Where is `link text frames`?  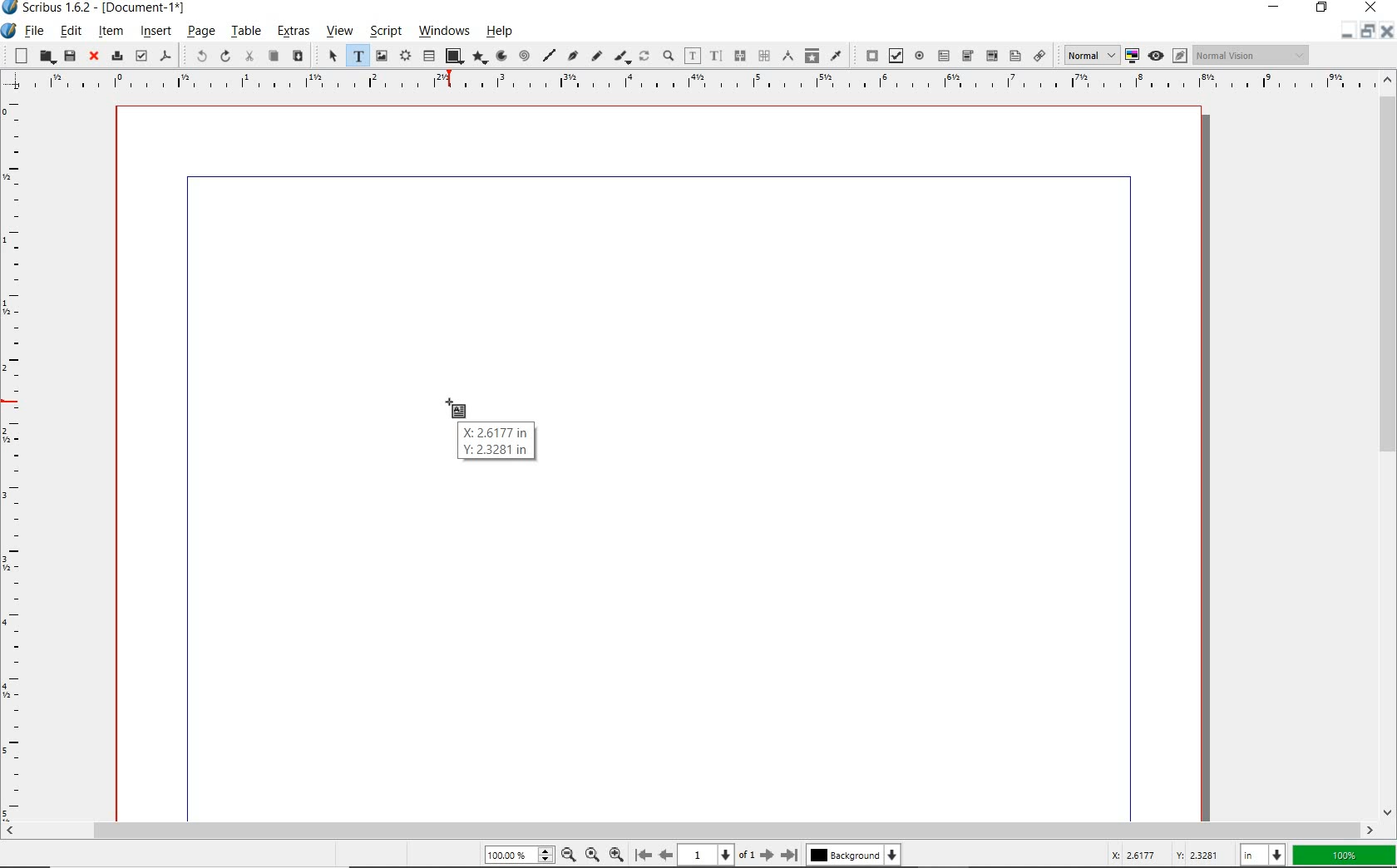
link text frames is located at coordinates (741, 56).